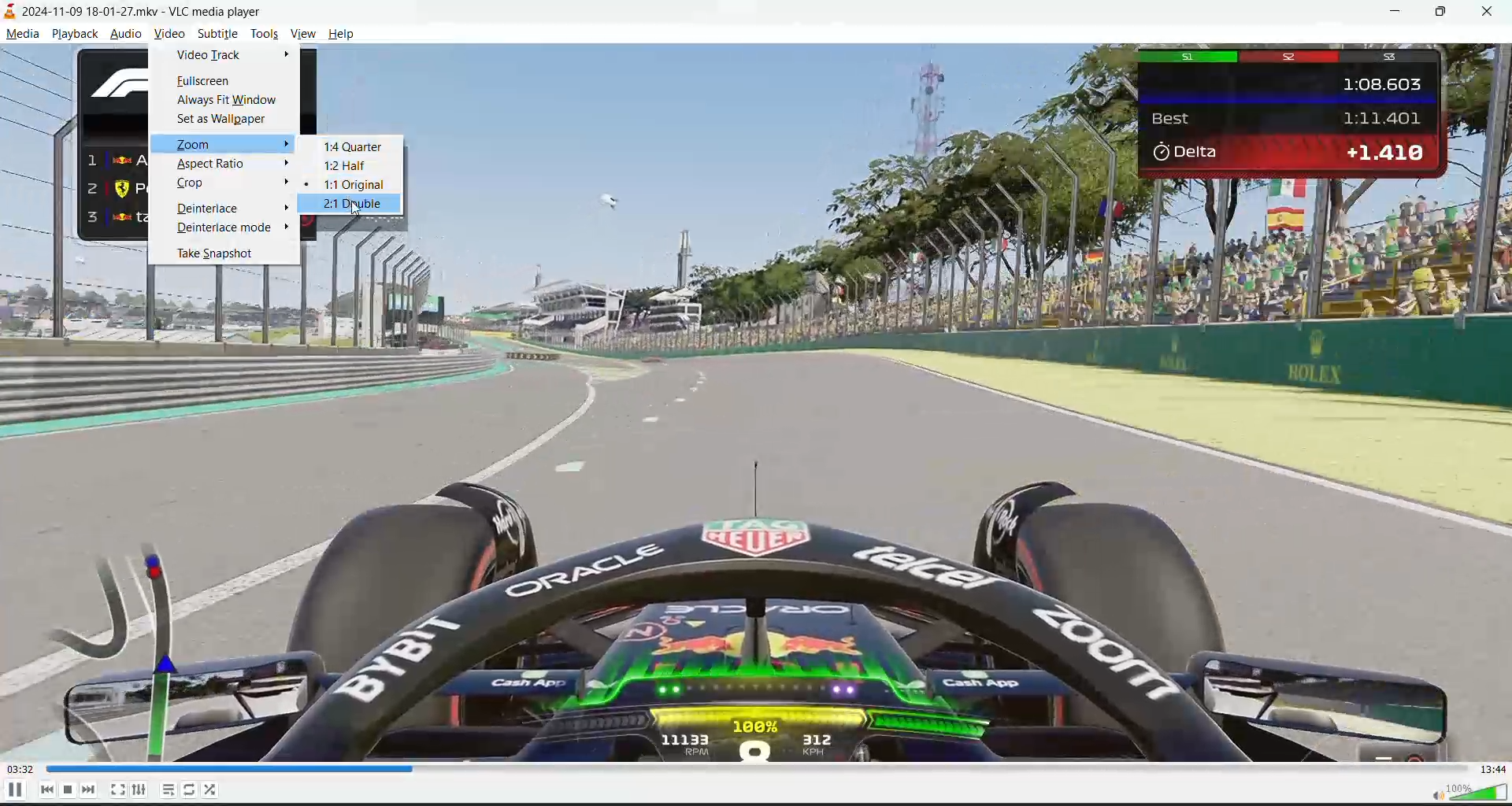  Describe the element at coordinates (350, 144) in the screenshot. I see `1:4 quarter` at that location.